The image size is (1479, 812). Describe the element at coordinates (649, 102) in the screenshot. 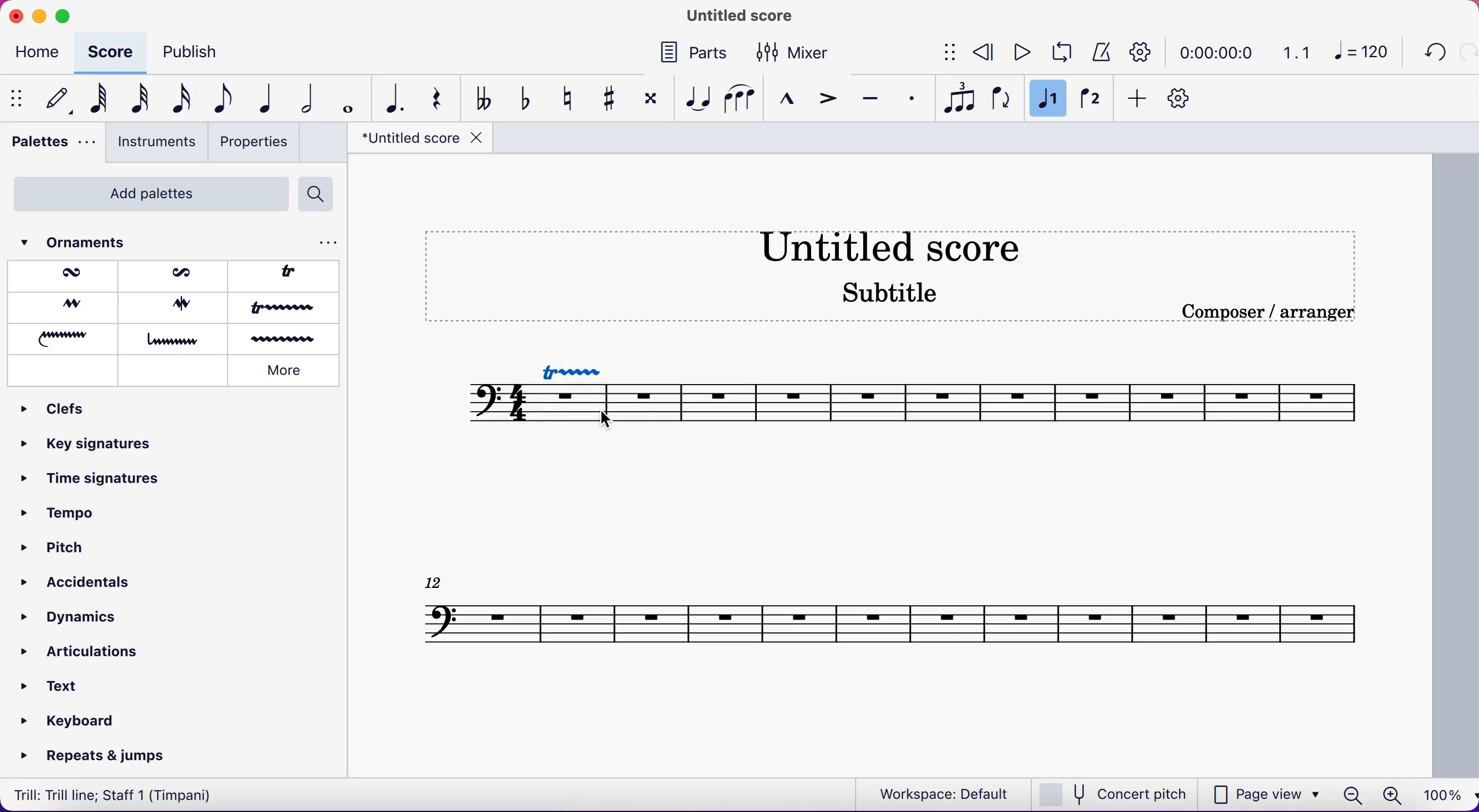

I see `toggle double sharp` at that location.